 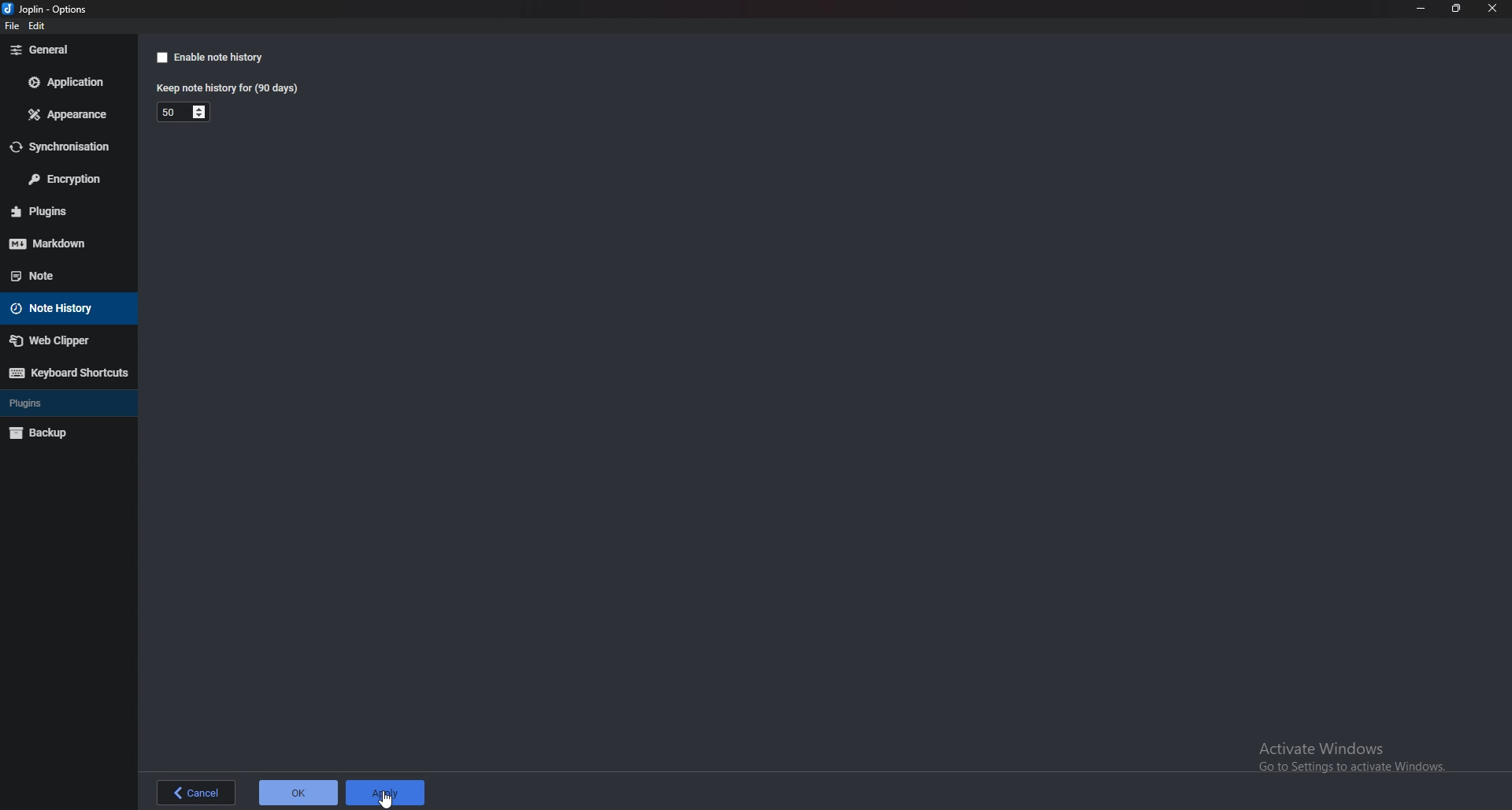 What do you see at coordinates (67, 81) in the screenshot?
I see `Application` at bounding box center [67, 81].